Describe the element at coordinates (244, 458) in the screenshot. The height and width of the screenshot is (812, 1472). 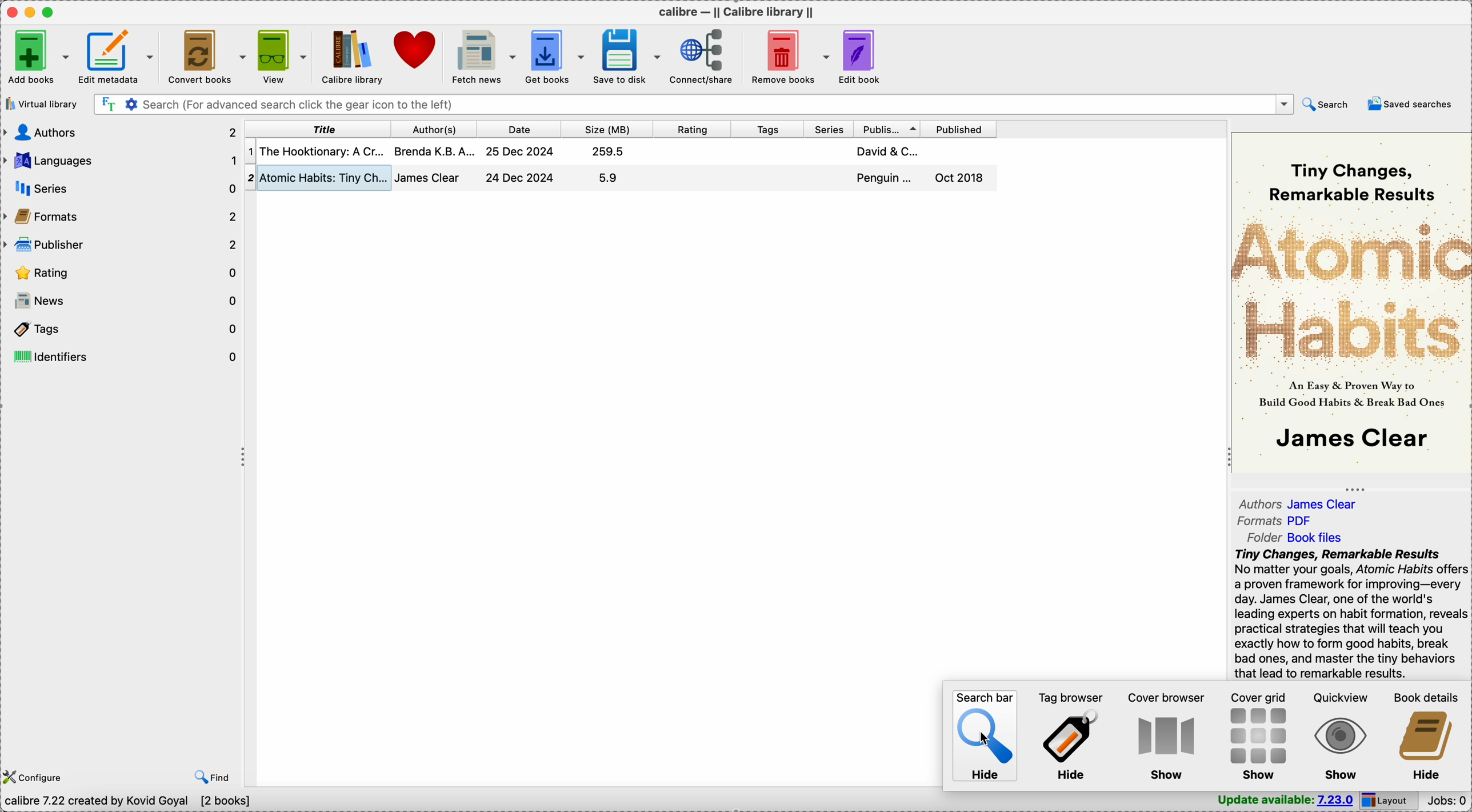
I see `toggle expand/contract` at that location.